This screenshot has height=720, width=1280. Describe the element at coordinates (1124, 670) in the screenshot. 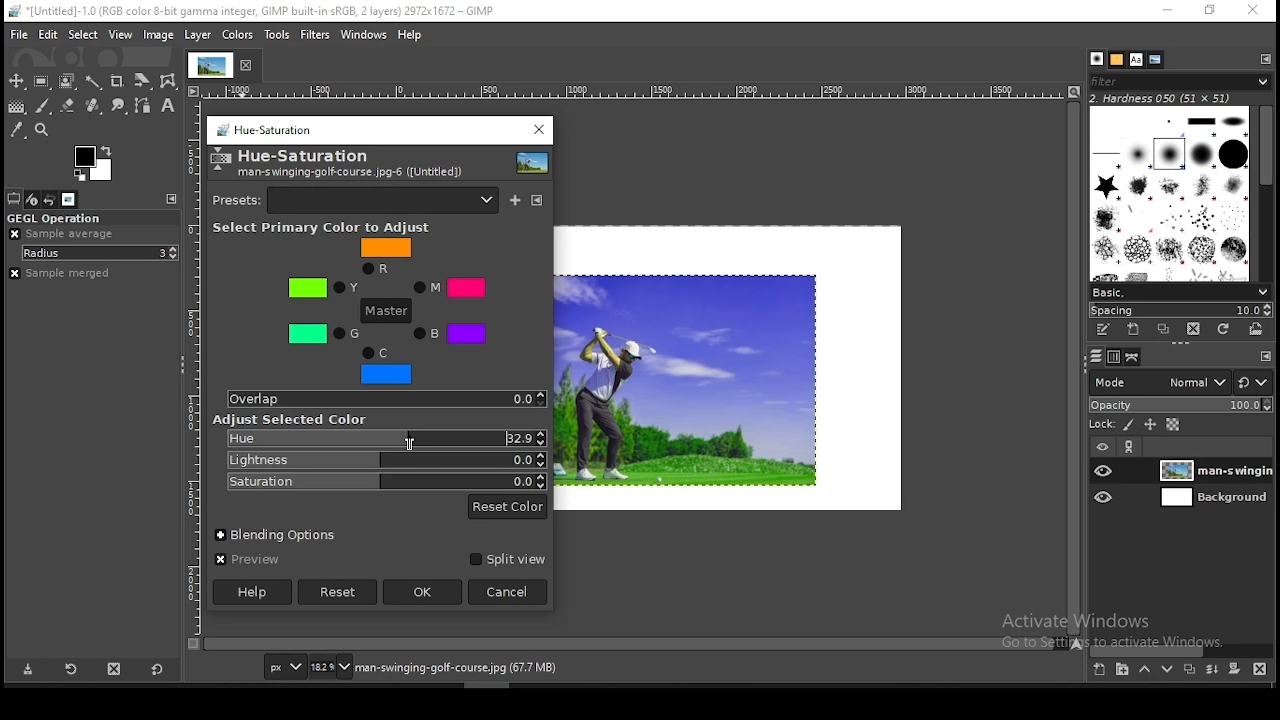

I see `new layer group` at that location.